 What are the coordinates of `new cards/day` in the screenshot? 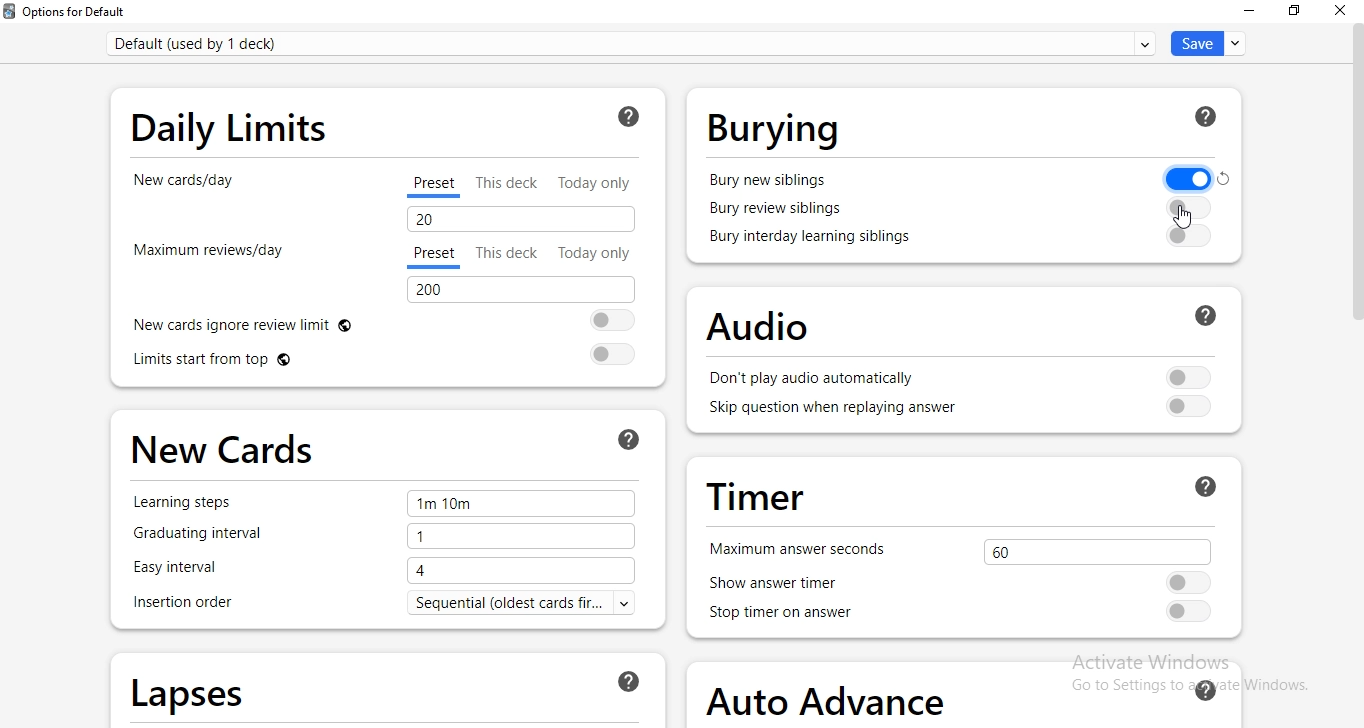 It's located at (186, 189).